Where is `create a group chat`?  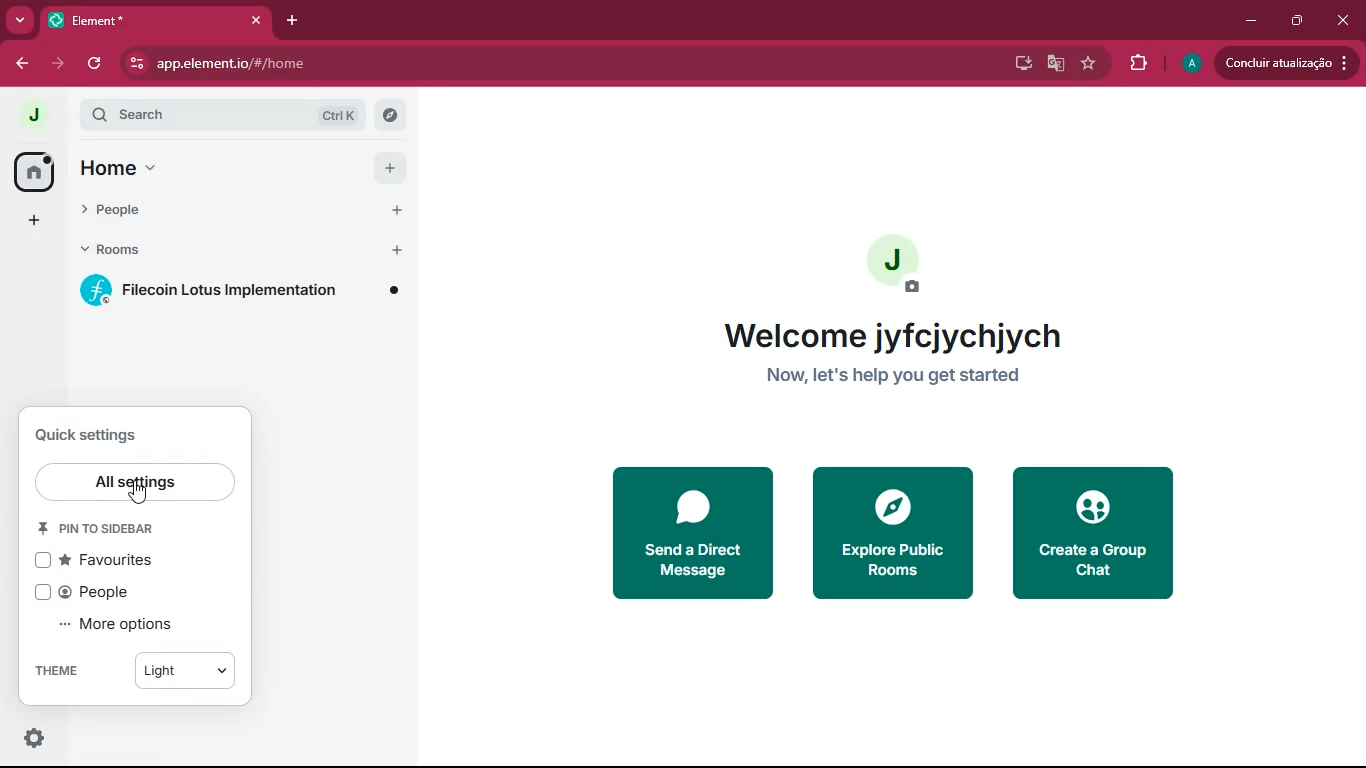
create a group chat is located at coordinates (1095, 534).